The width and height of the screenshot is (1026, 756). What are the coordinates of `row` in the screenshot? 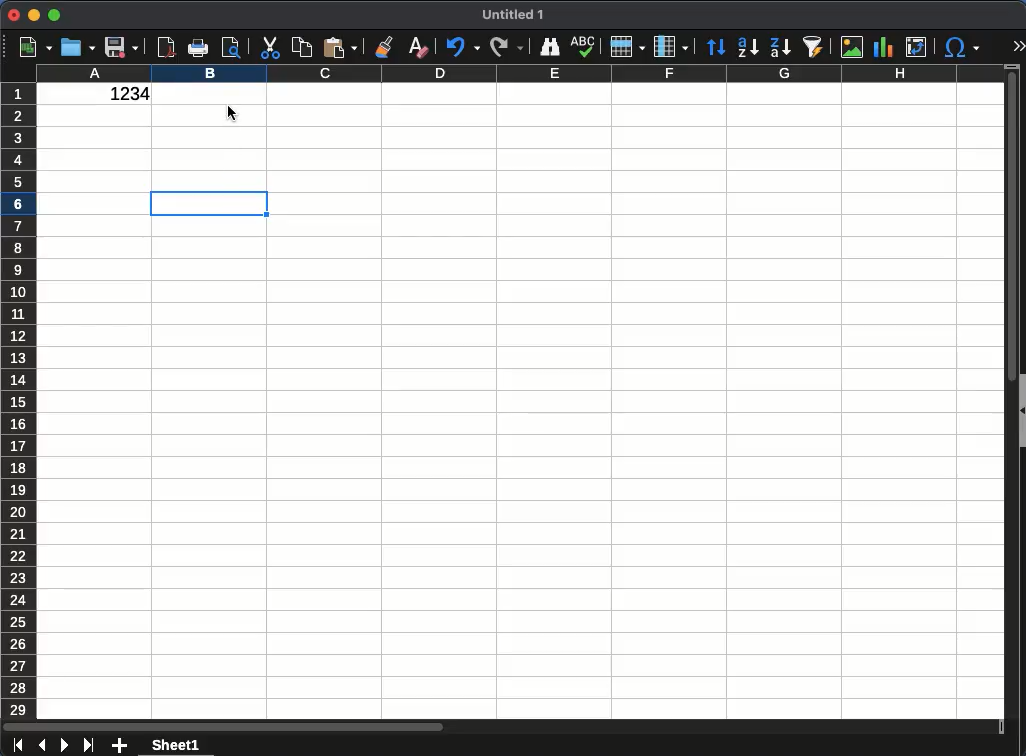 It's located at (625, 47).